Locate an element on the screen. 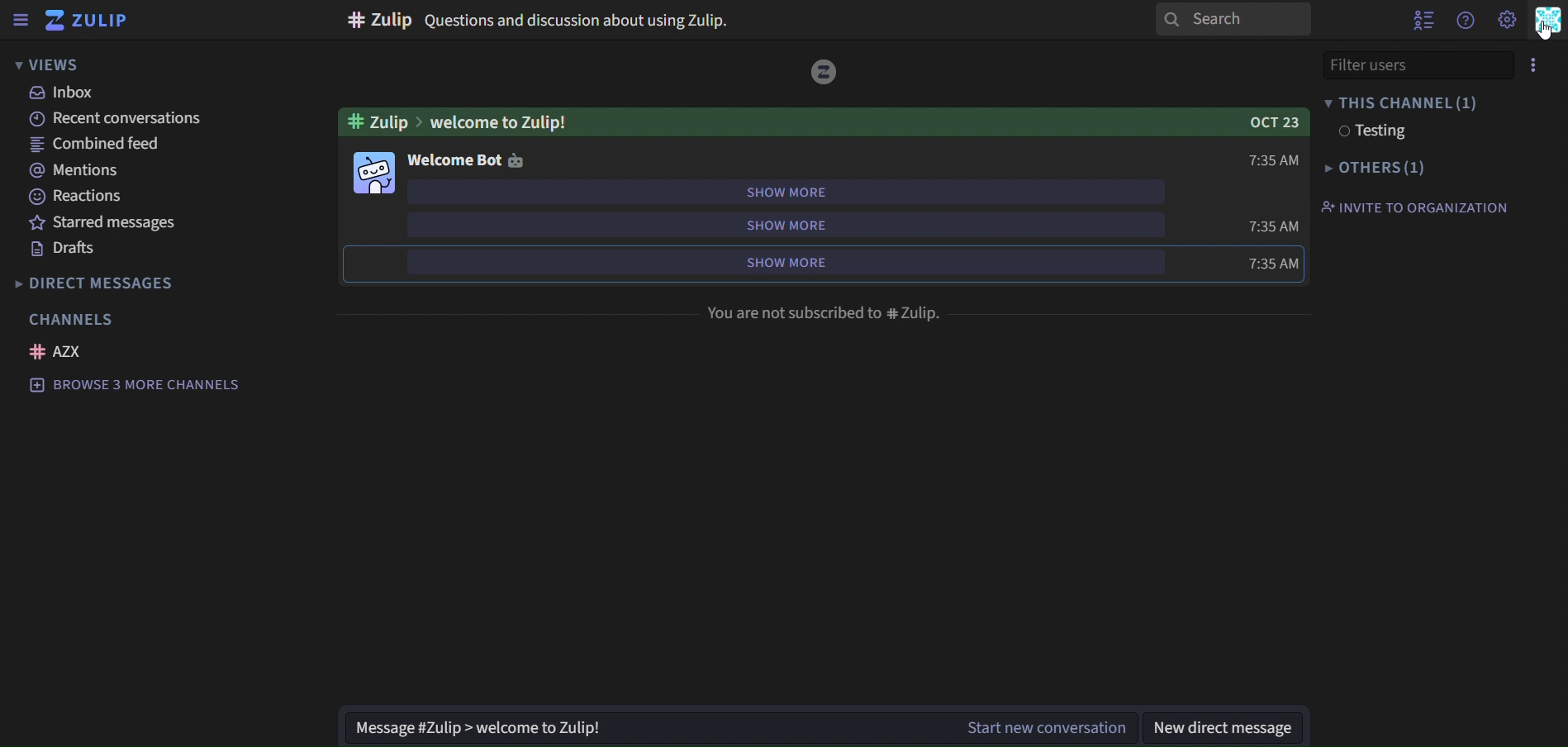 The image size is (1568, 747). views is located at coordinates (67, 63).